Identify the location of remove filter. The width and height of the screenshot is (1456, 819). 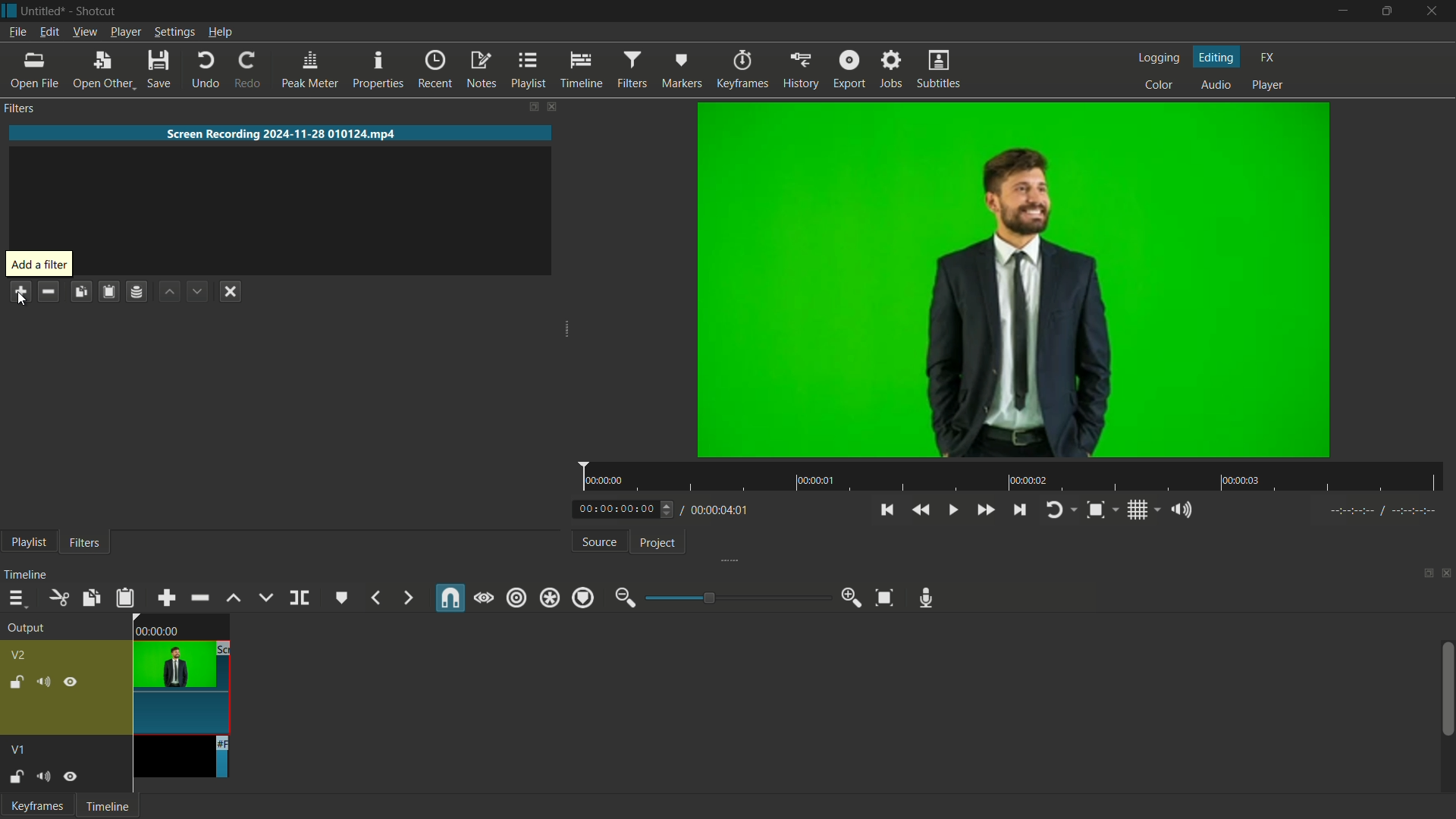
(49, 292).